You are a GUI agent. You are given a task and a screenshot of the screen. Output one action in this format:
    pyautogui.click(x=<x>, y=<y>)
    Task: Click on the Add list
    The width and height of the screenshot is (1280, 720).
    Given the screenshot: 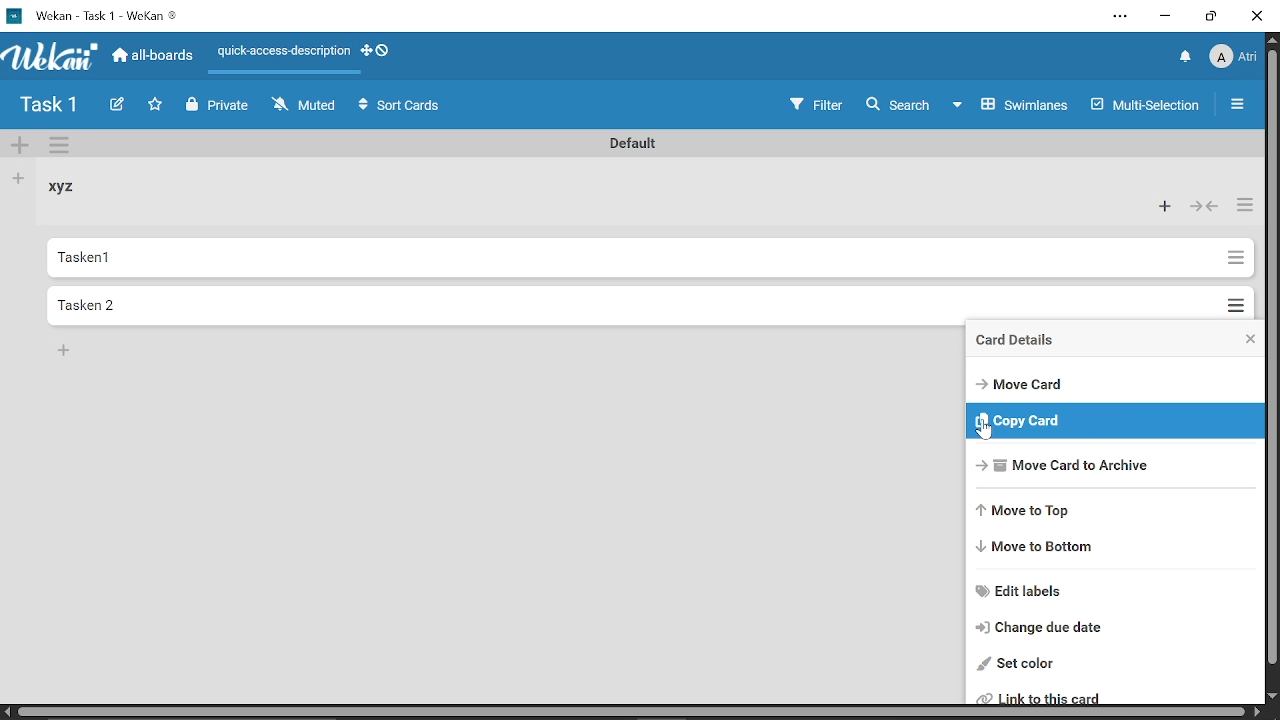 What is the action you would take?
    pyautogui.click(x=19, y=179)
    